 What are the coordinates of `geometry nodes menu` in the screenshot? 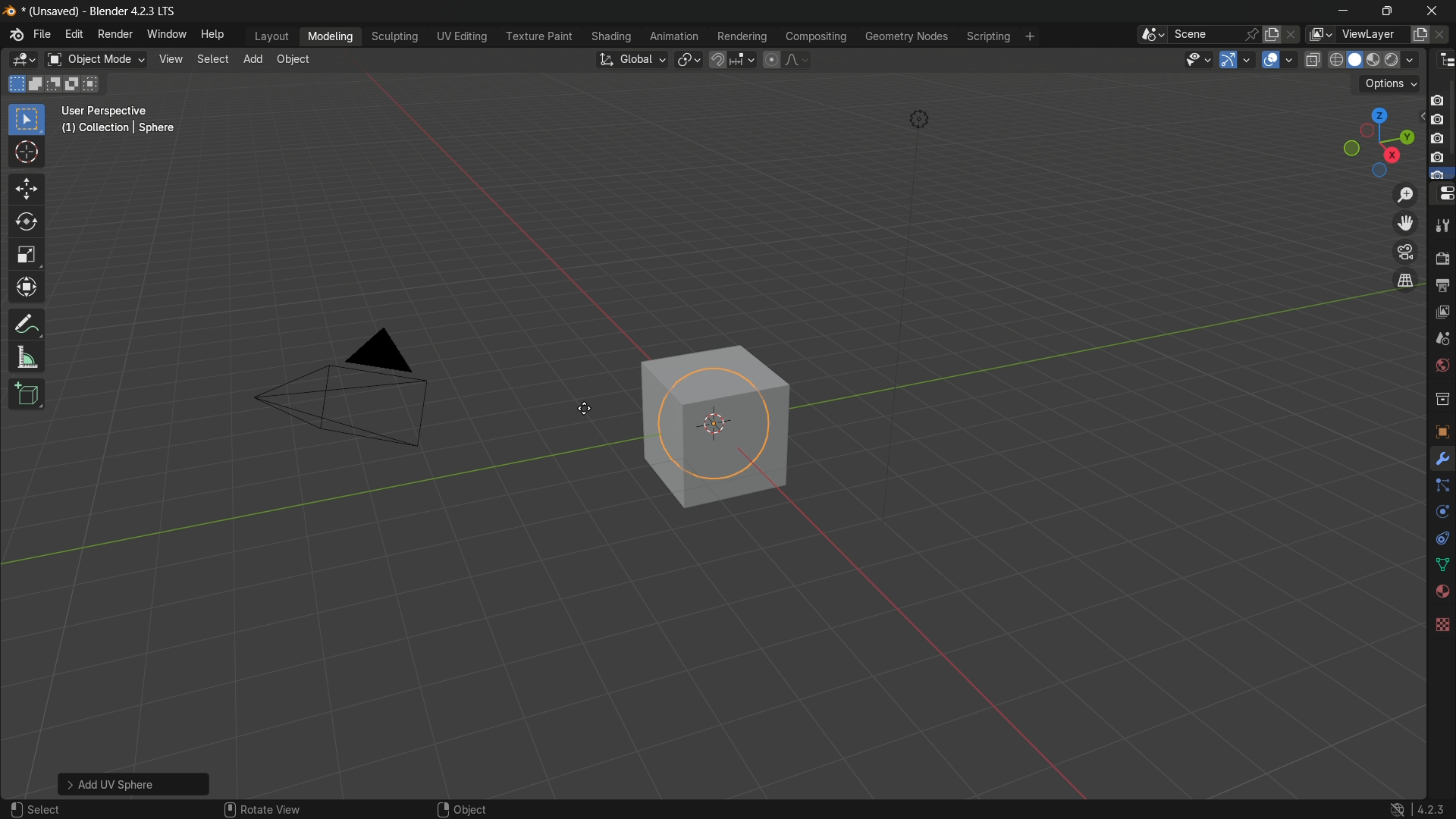 It's located at (907, 36).